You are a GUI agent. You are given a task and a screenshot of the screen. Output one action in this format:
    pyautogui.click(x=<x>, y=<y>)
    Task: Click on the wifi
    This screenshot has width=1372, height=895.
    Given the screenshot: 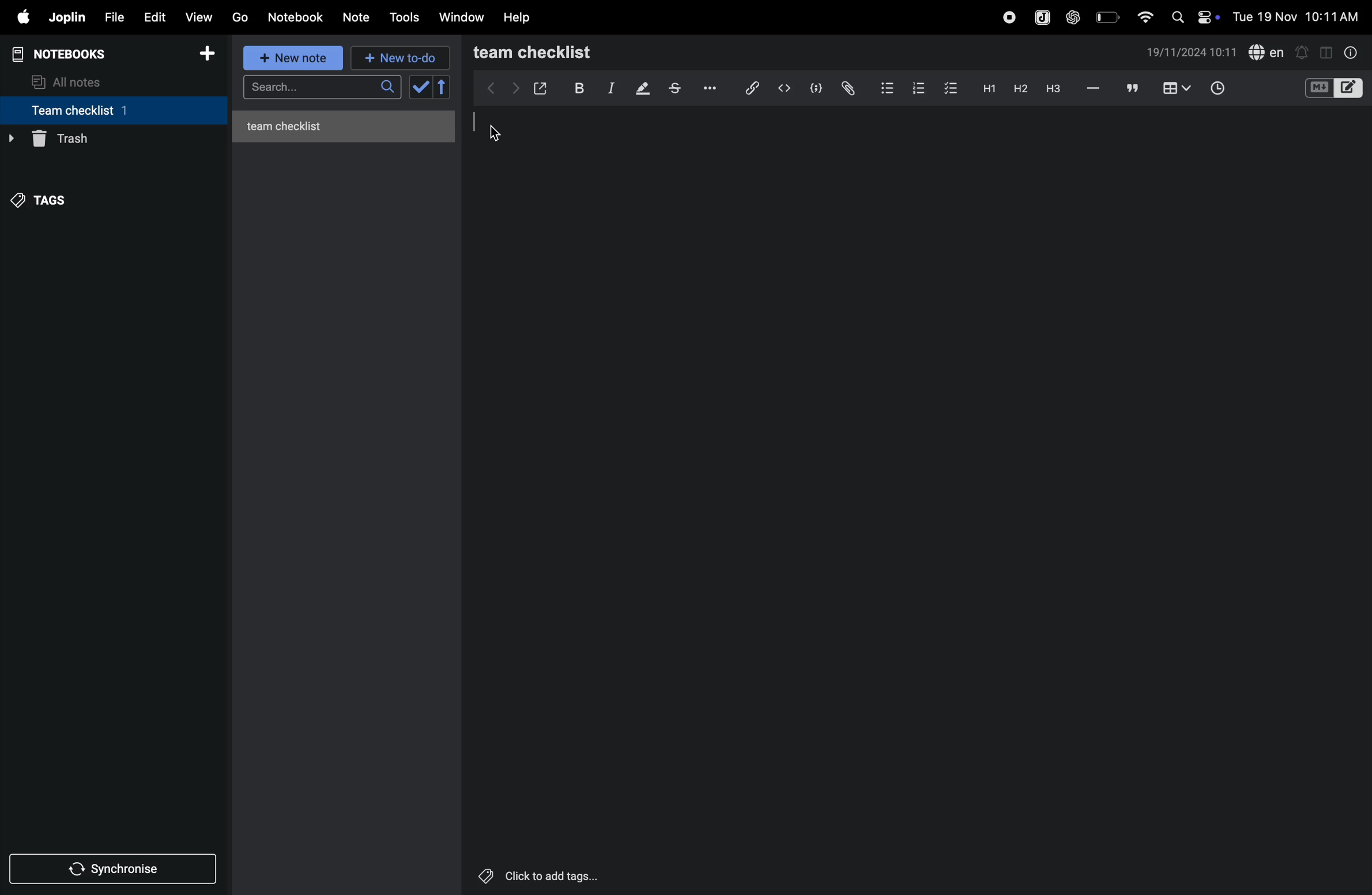 What is the action you would take?
    pyautogui.click(x=1141, y=16)
    